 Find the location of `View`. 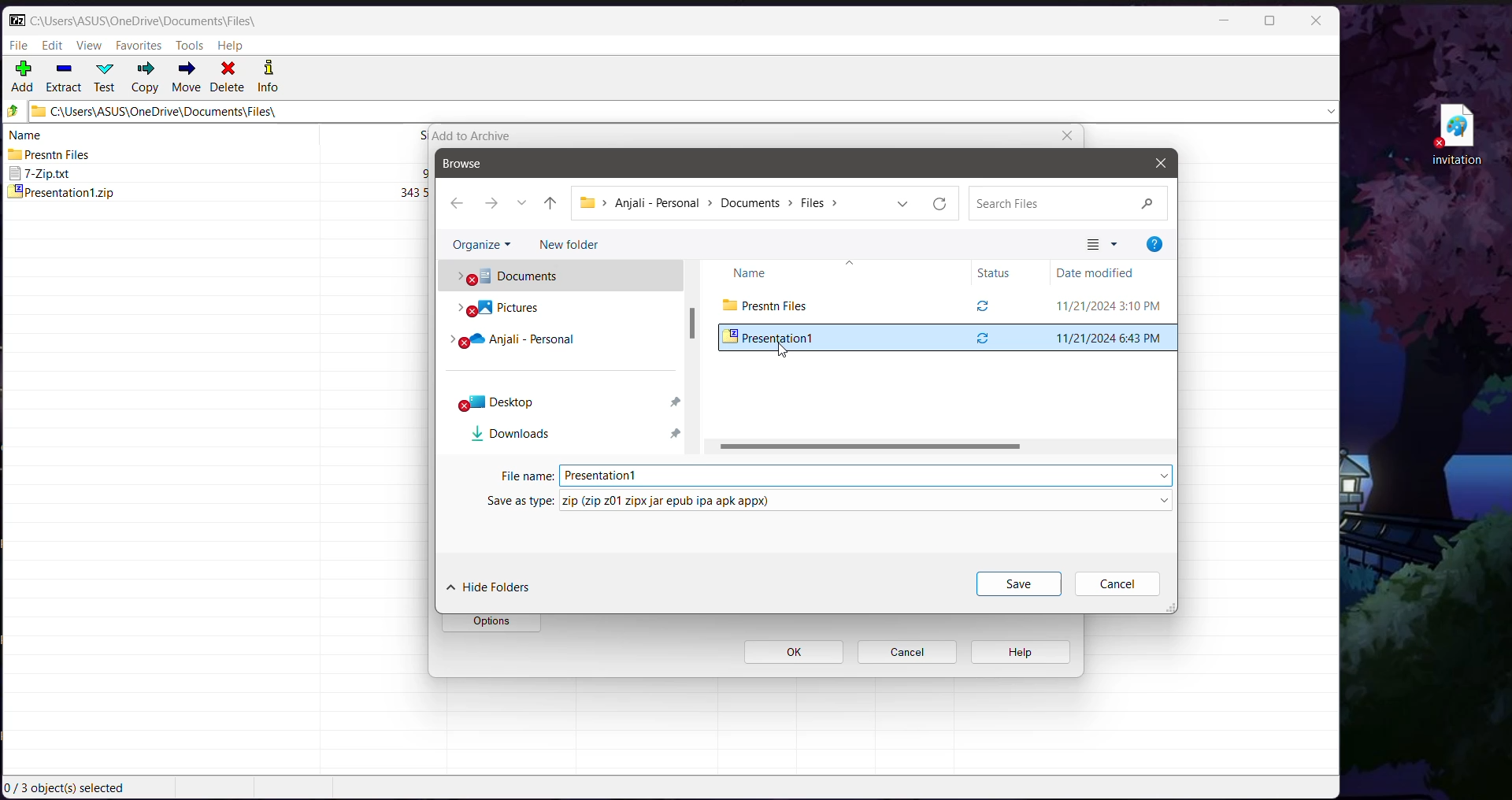

View is located at coordinates (91, 45).